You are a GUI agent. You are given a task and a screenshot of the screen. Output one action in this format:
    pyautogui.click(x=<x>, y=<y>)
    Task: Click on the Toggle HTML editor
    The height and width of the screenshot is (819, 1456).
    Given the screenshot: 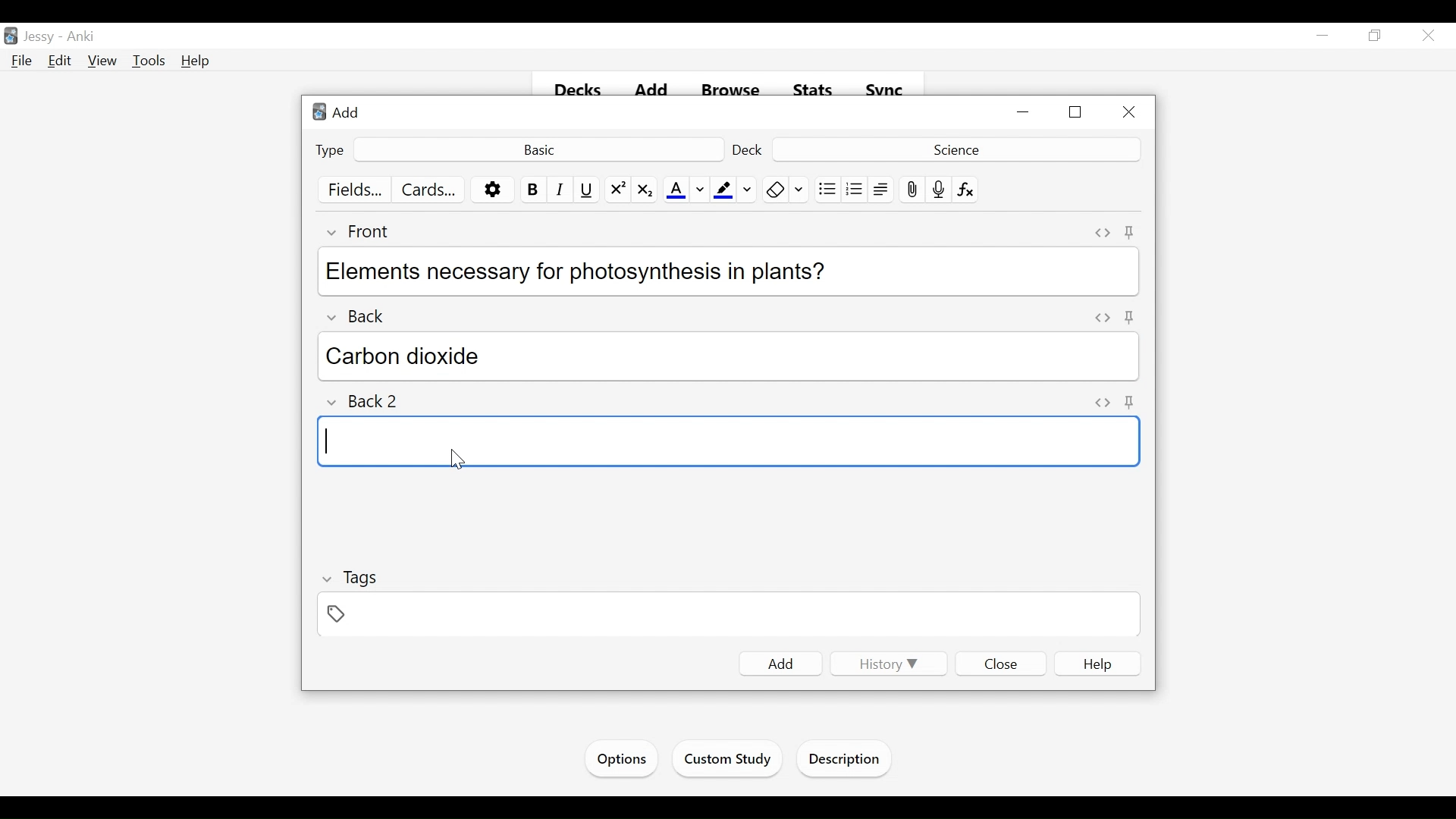 What is the action you would take?
    pyautogui.click(x=1100, y=318)
    